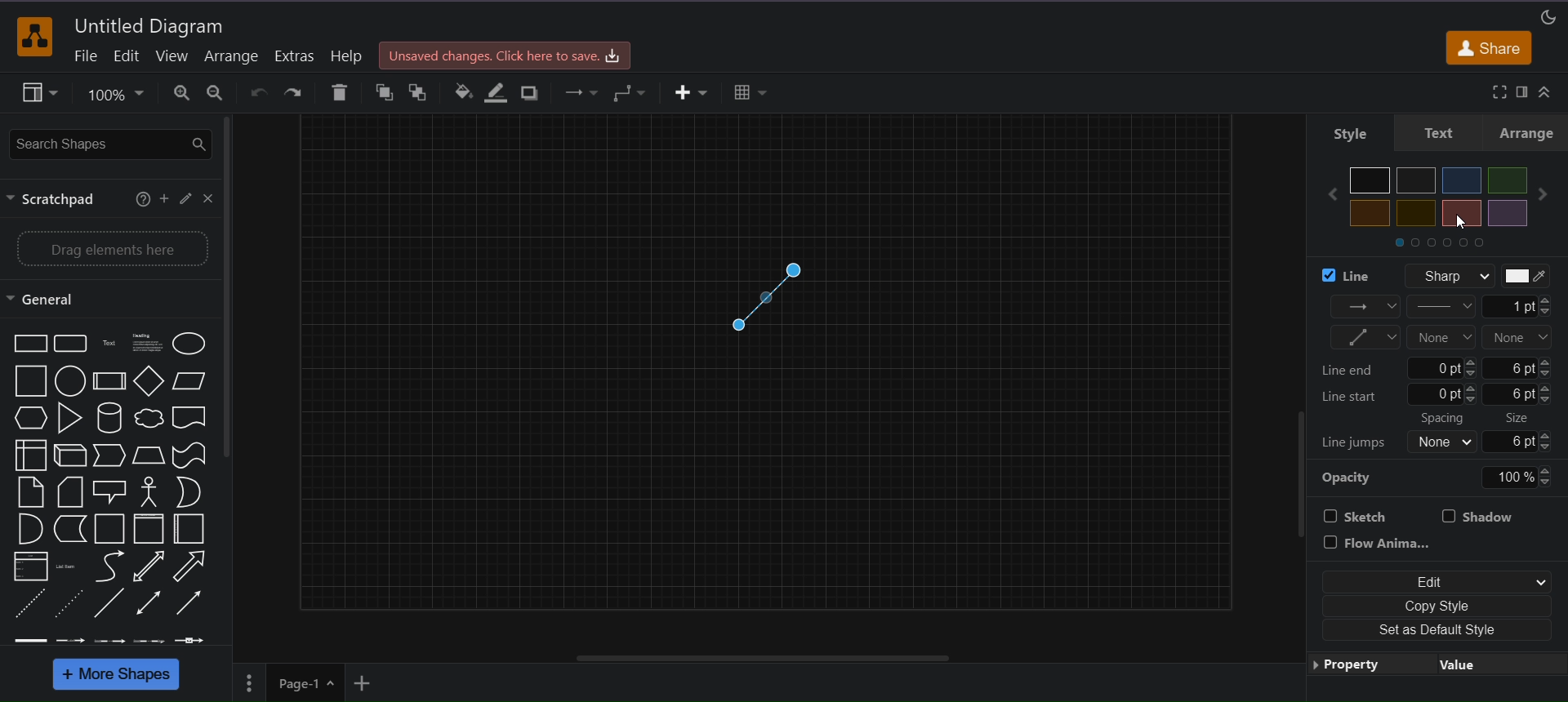  I want to click on page 1, so click(307, 682).